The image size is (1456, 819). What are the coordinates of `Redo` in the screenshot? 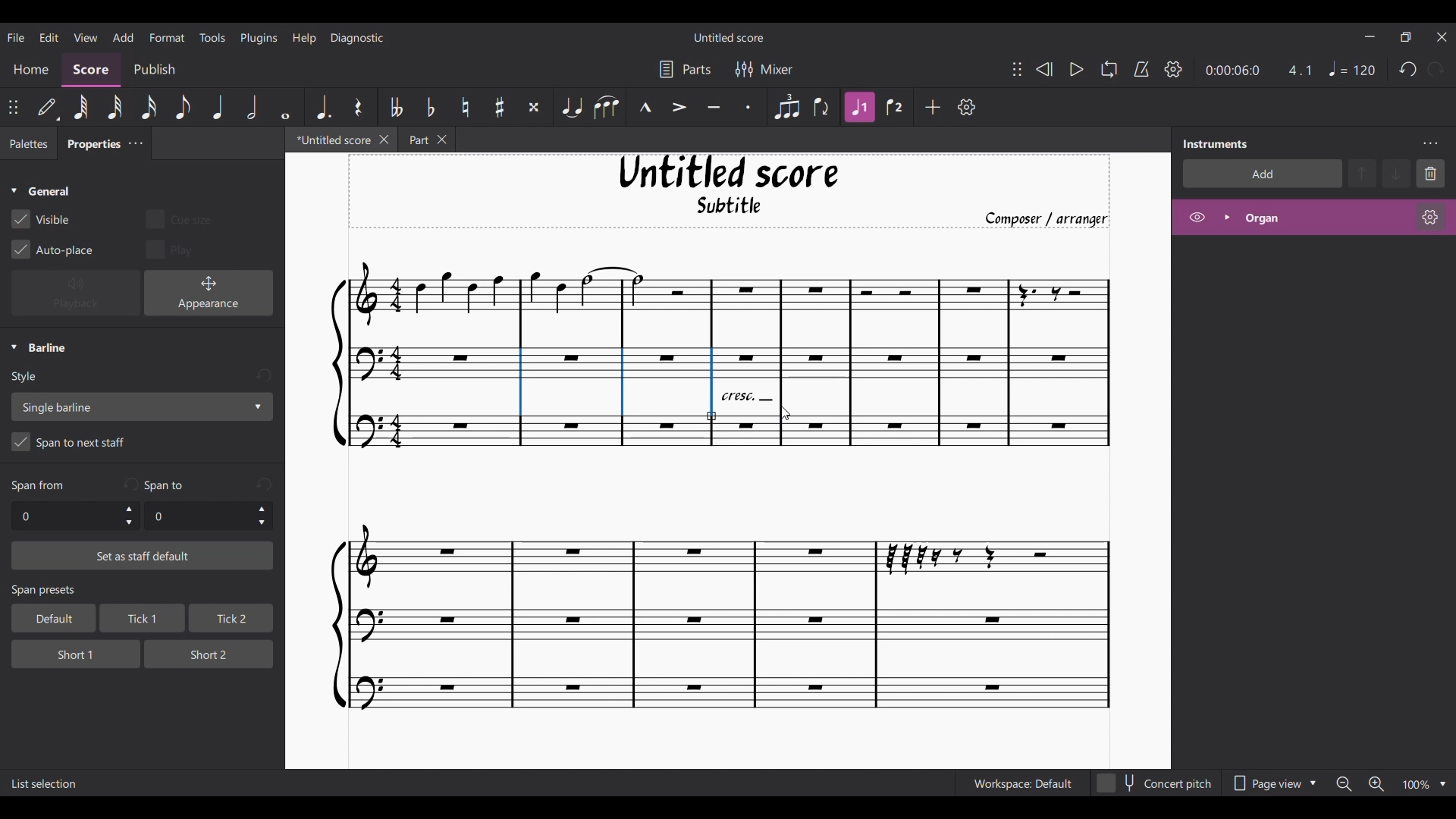 It's located at (1436, 69).